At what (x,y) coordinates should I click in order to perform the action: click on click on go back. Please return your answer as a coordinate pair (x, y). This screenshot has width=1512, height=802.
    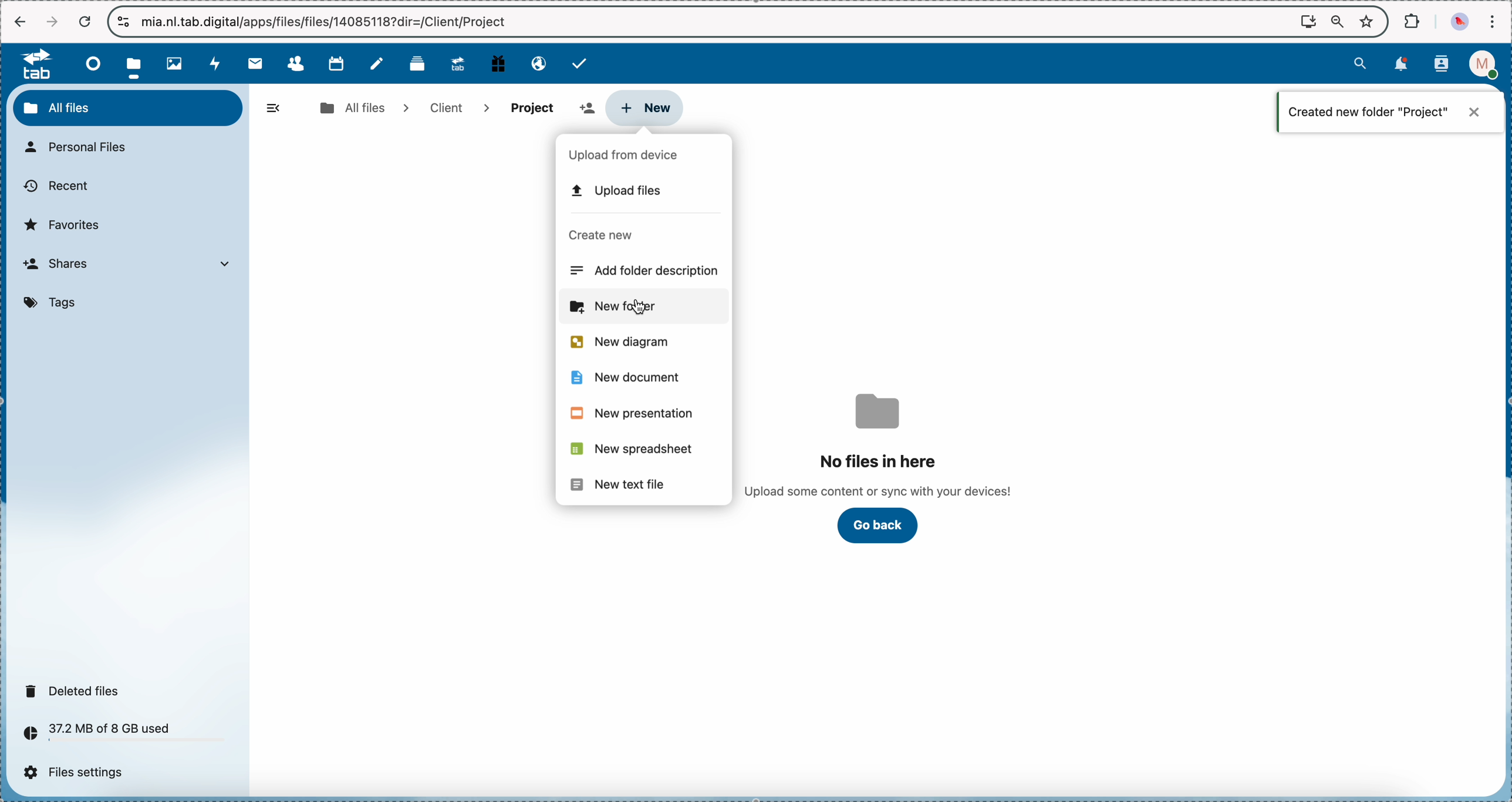
    Looking at the image, I should click on (879, 525).